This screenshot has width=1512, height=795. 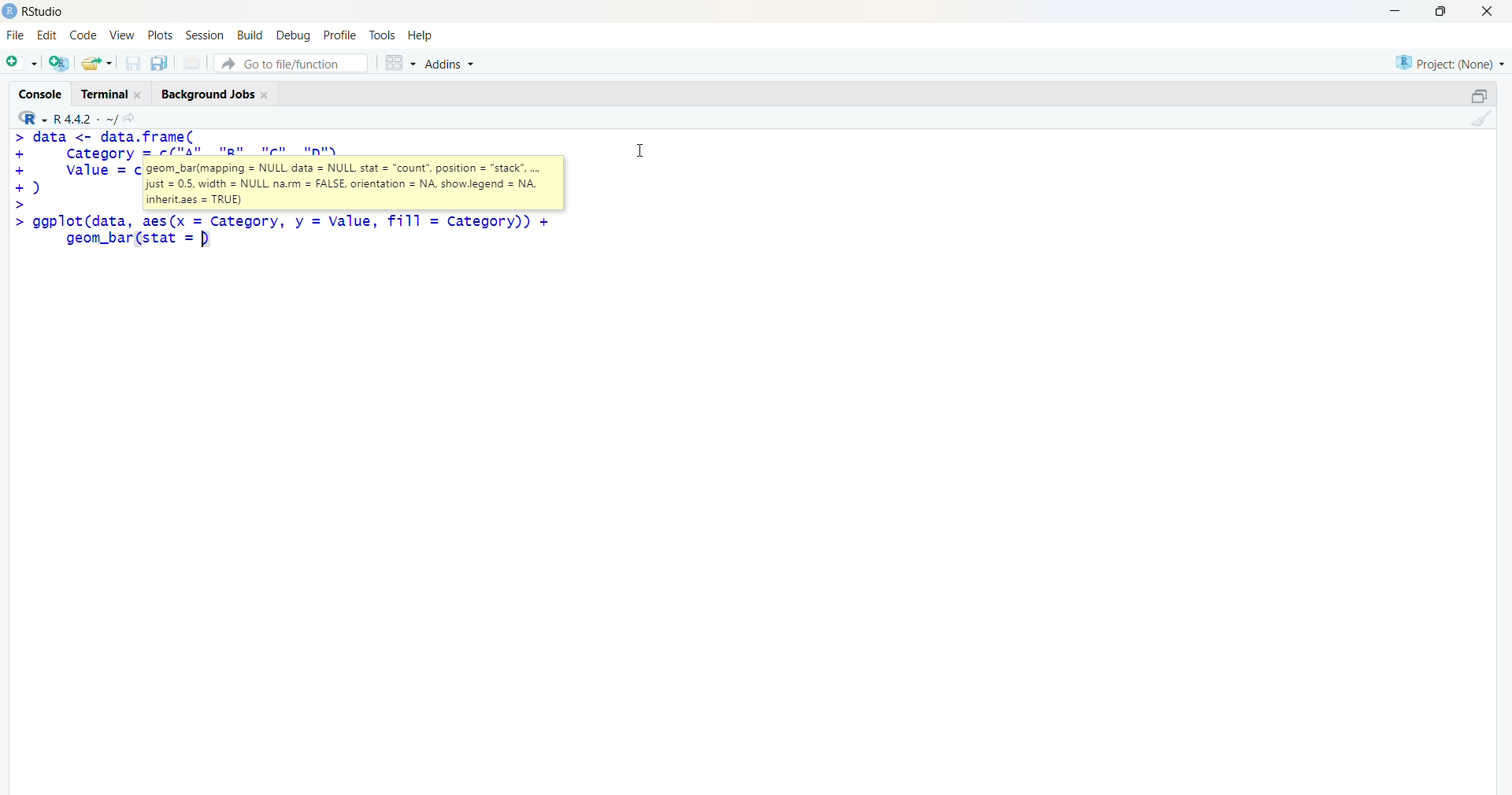 What do you see at coordinates (83, 35) in the screenshot?
I see `code` at bounding box center [83, 35].